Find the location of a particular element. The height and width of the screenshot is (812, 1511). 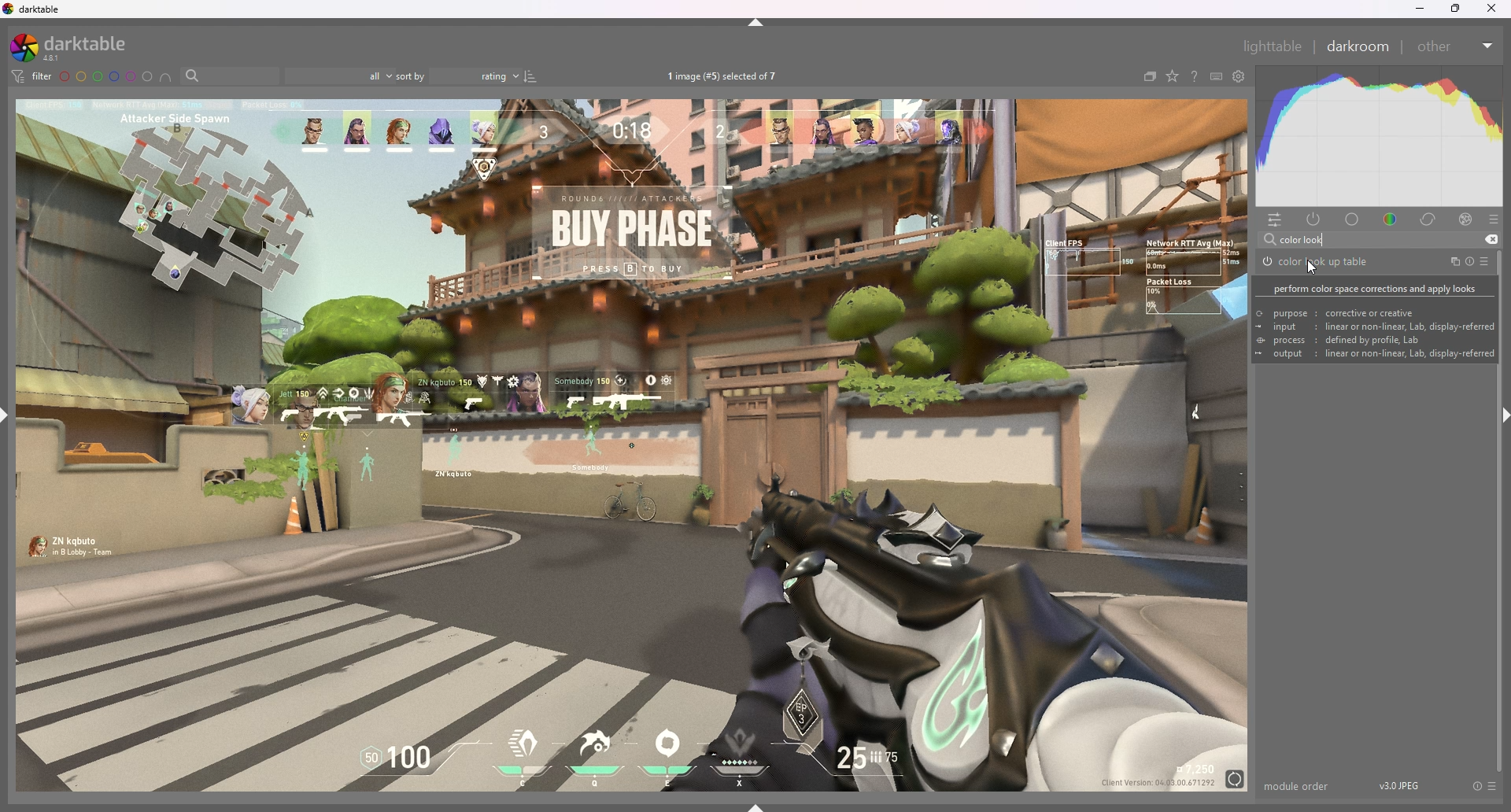

multiple instances action is located at coordinates (1450, 261).